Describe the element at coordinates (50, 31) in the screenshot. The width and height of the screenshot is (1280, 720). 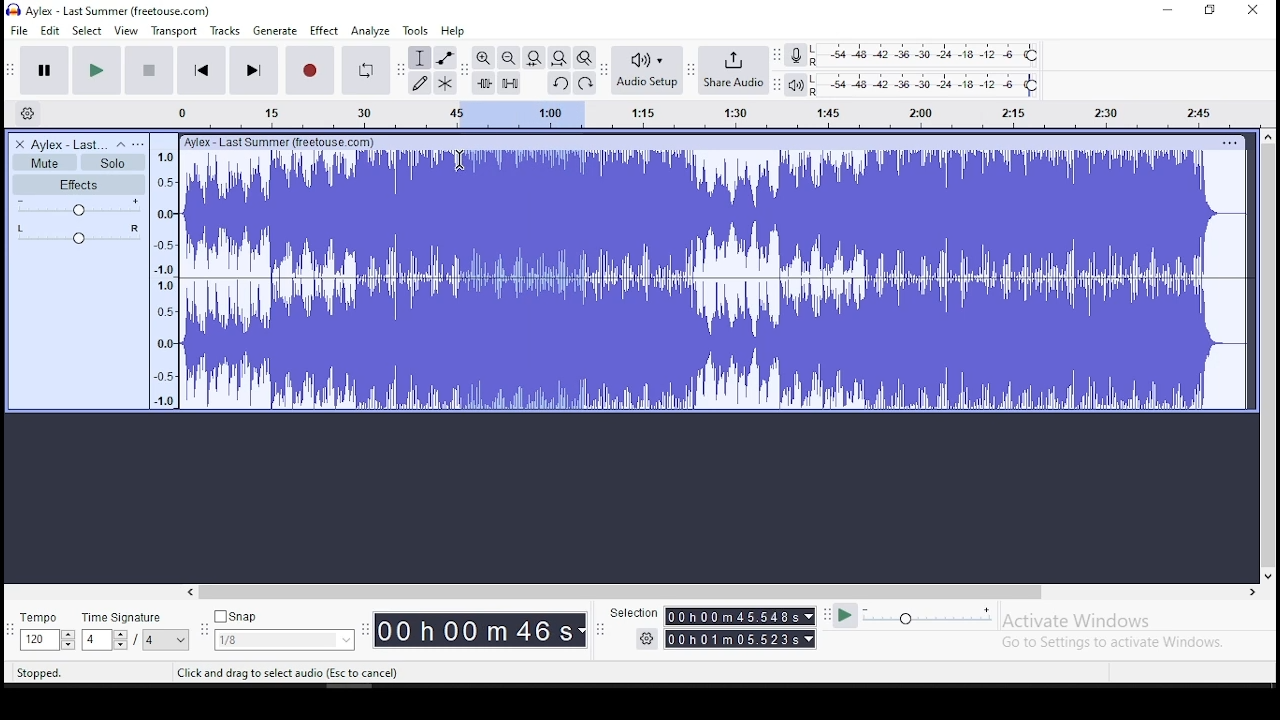
I see `edit` at that location.